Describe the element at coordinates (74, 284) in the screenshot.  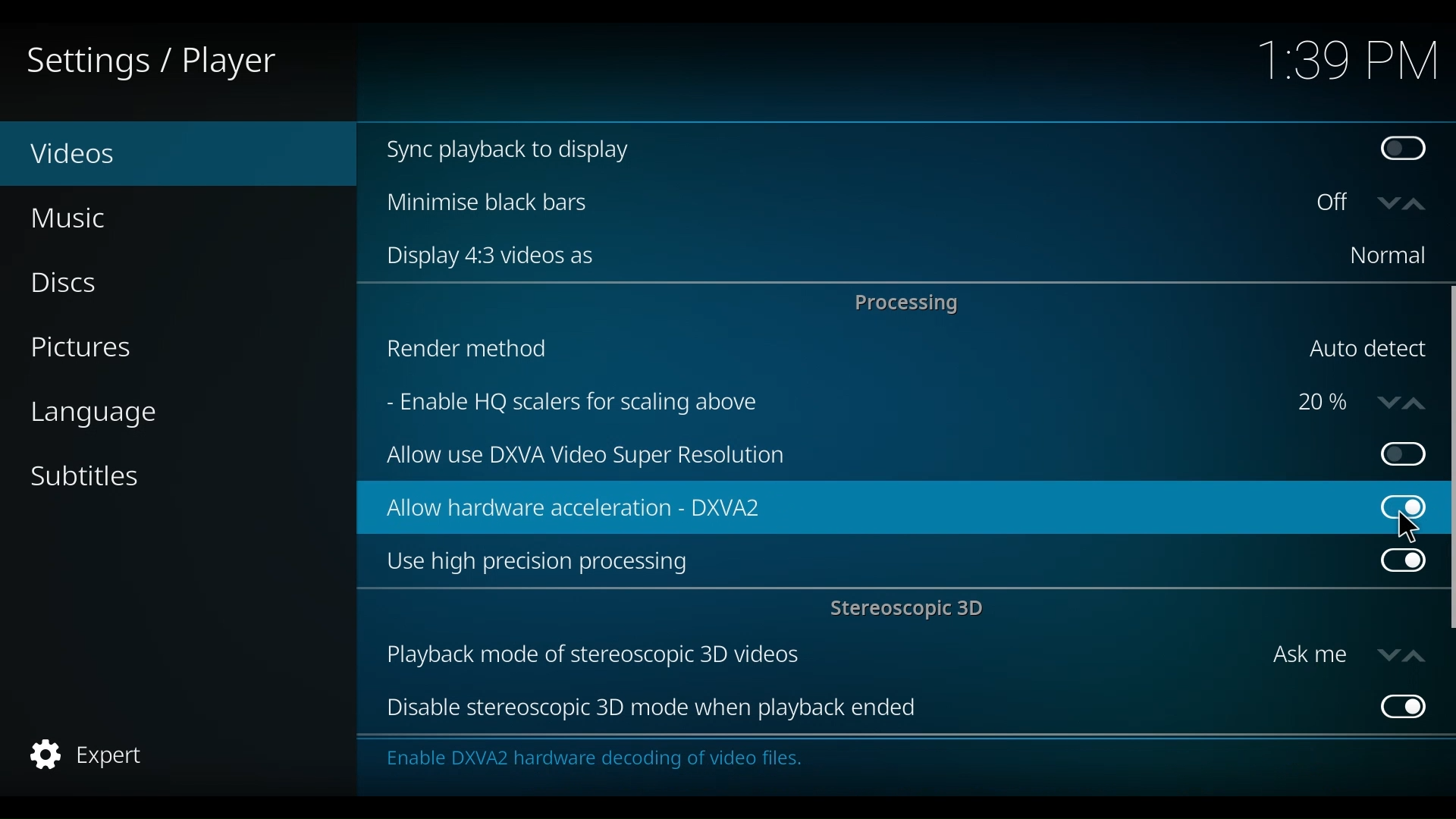
I see `Discs` at that location.